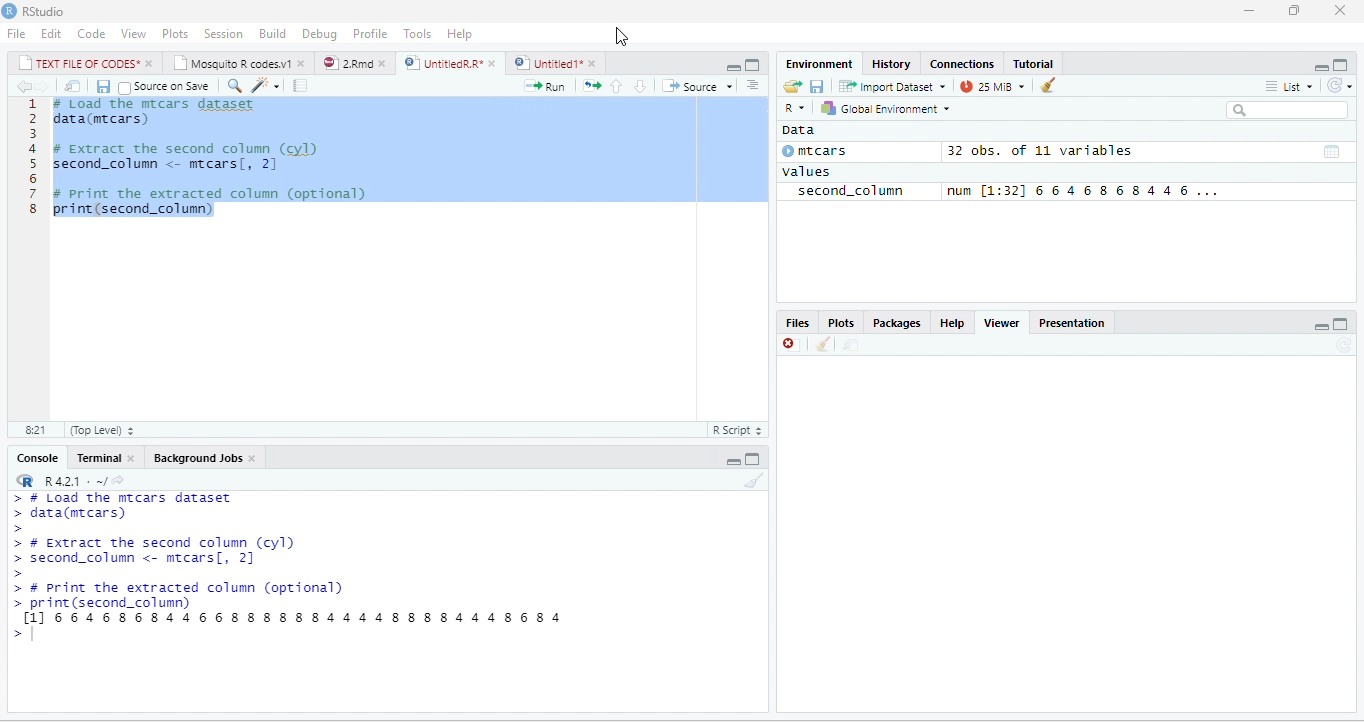 The height and width of the screenshot is (722, 1364). I want to click on Tutorial, so click(1032, 62).